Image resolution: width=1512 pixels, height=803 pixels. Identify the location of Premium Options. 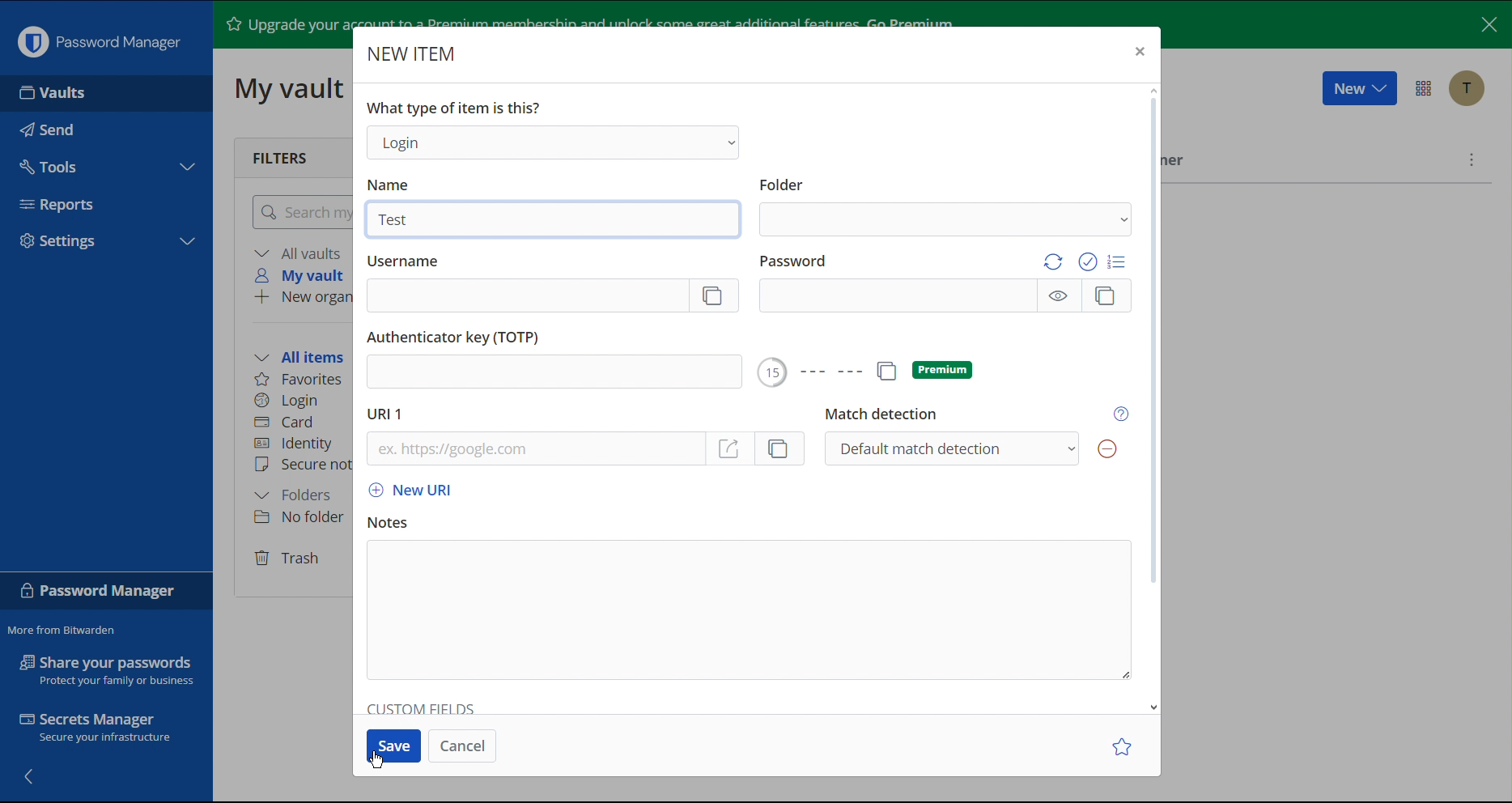
(880, 372).